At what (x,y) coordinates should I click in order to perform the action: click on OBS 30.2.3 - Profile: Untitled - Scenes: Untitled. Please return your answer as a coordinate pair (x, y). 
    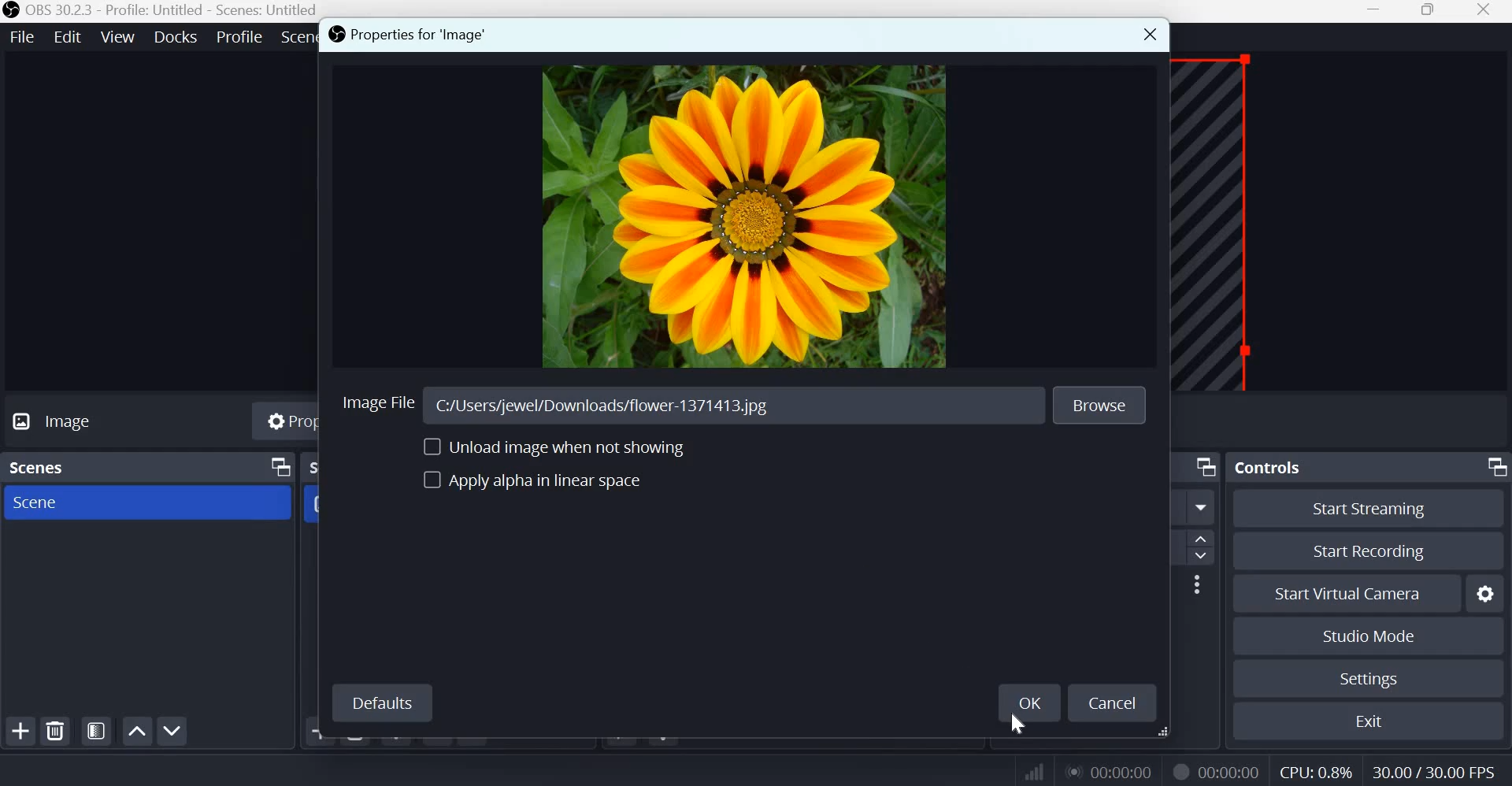
    Looking at the image, I should click on (160, 10).